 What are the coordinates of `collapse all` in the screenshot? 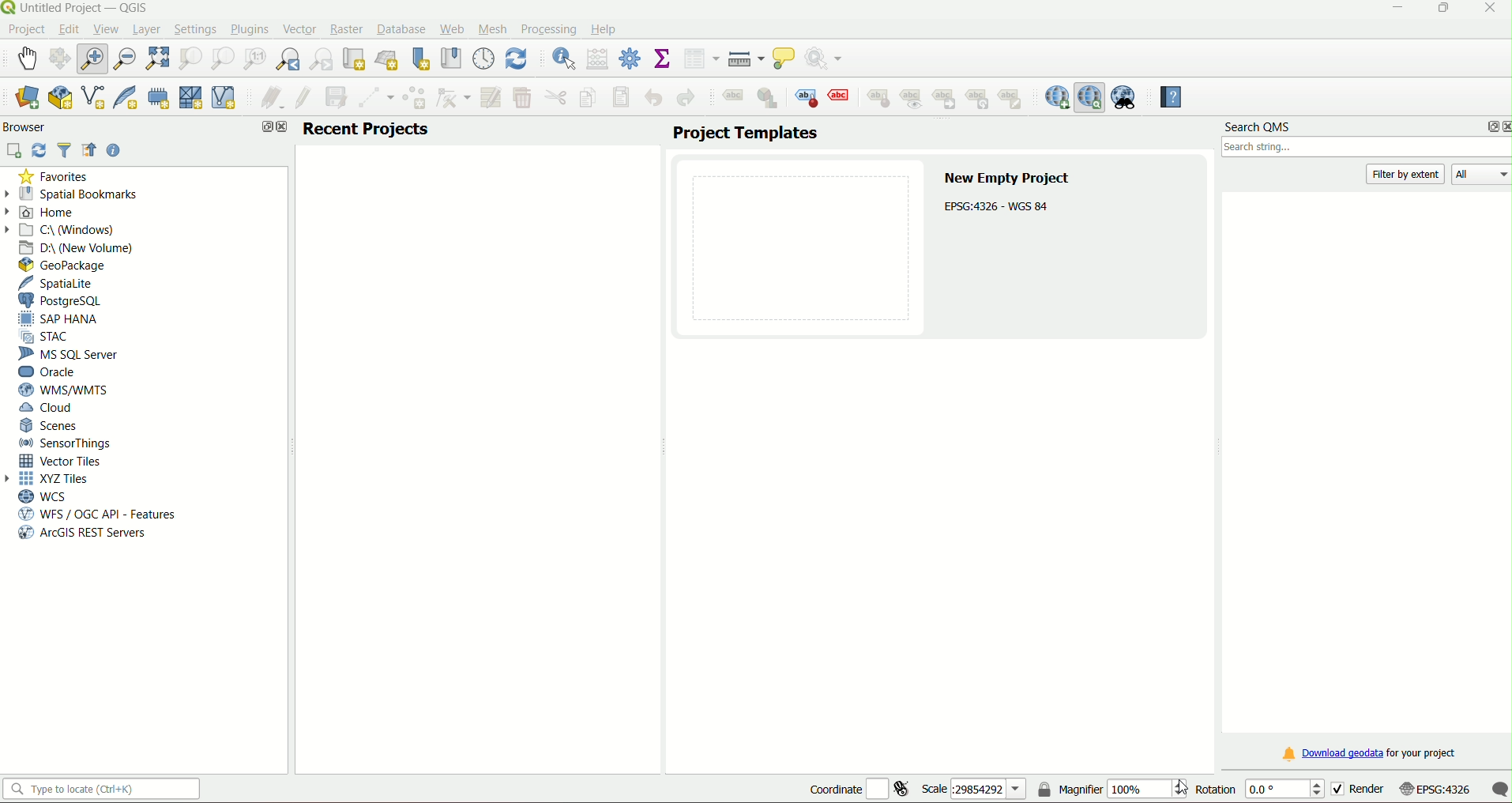 It's located at (90, 152).